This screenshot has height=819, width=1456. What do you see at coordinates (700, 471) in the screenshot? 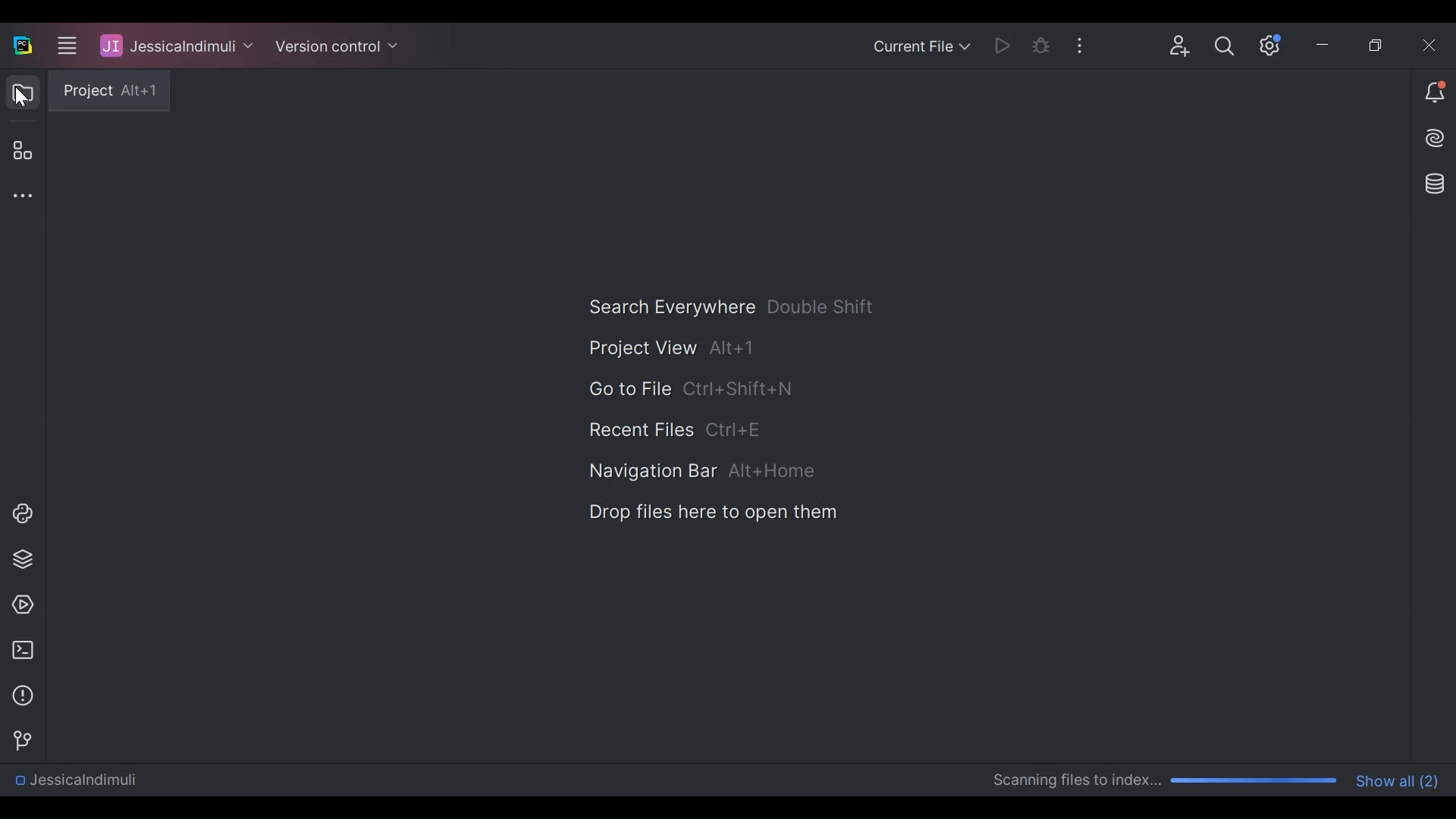
I see `Navigation Bar` at bounding box center [700, 471].